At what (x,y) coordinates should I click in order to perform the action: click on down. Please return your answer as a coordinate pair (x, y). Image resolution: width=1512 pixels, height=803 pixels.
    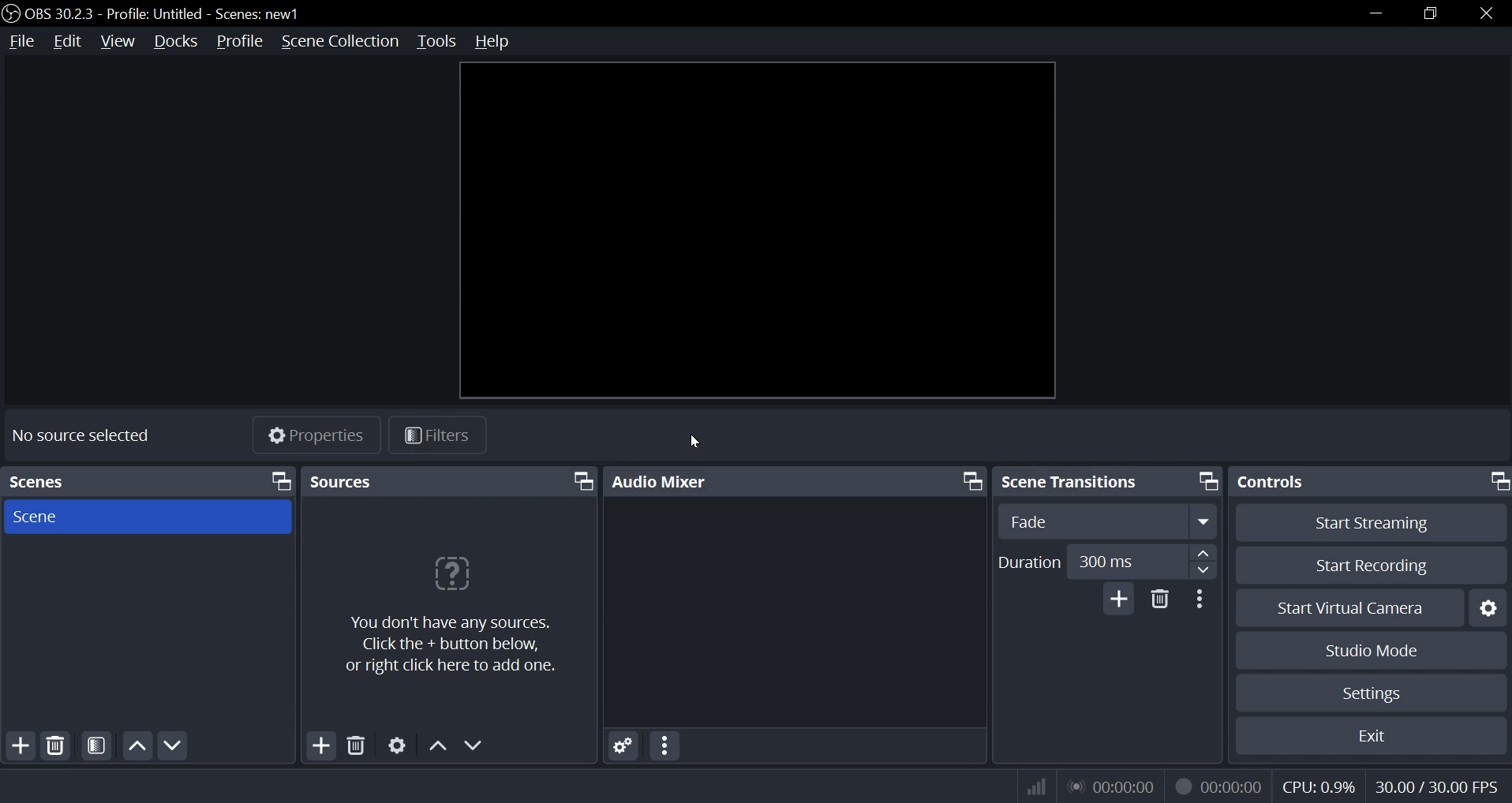
    Looking at the image, I should click on (1201, 570).